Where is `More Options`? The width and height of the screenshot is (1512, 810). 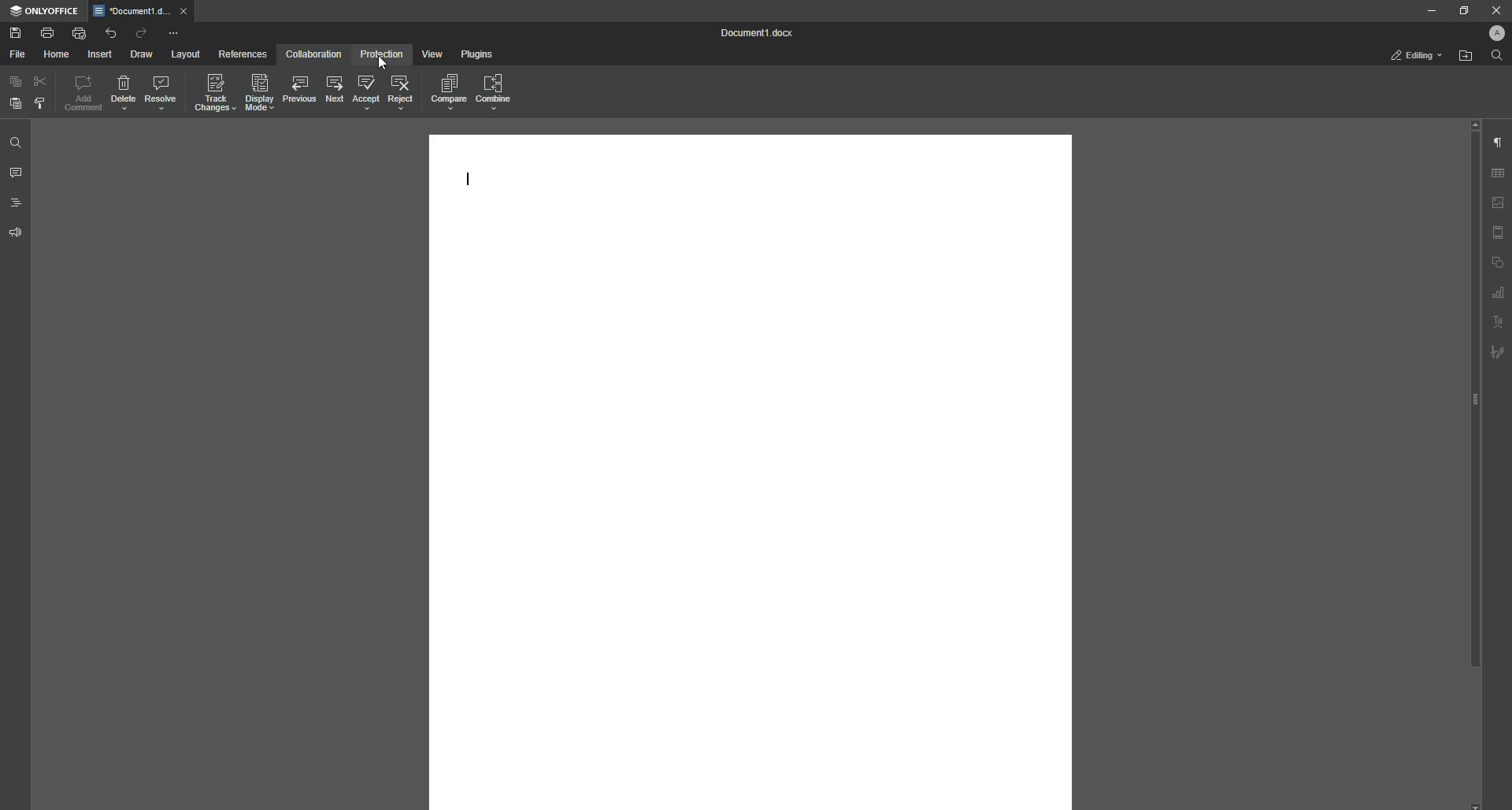
More Options is located at coordinates (175, 32).